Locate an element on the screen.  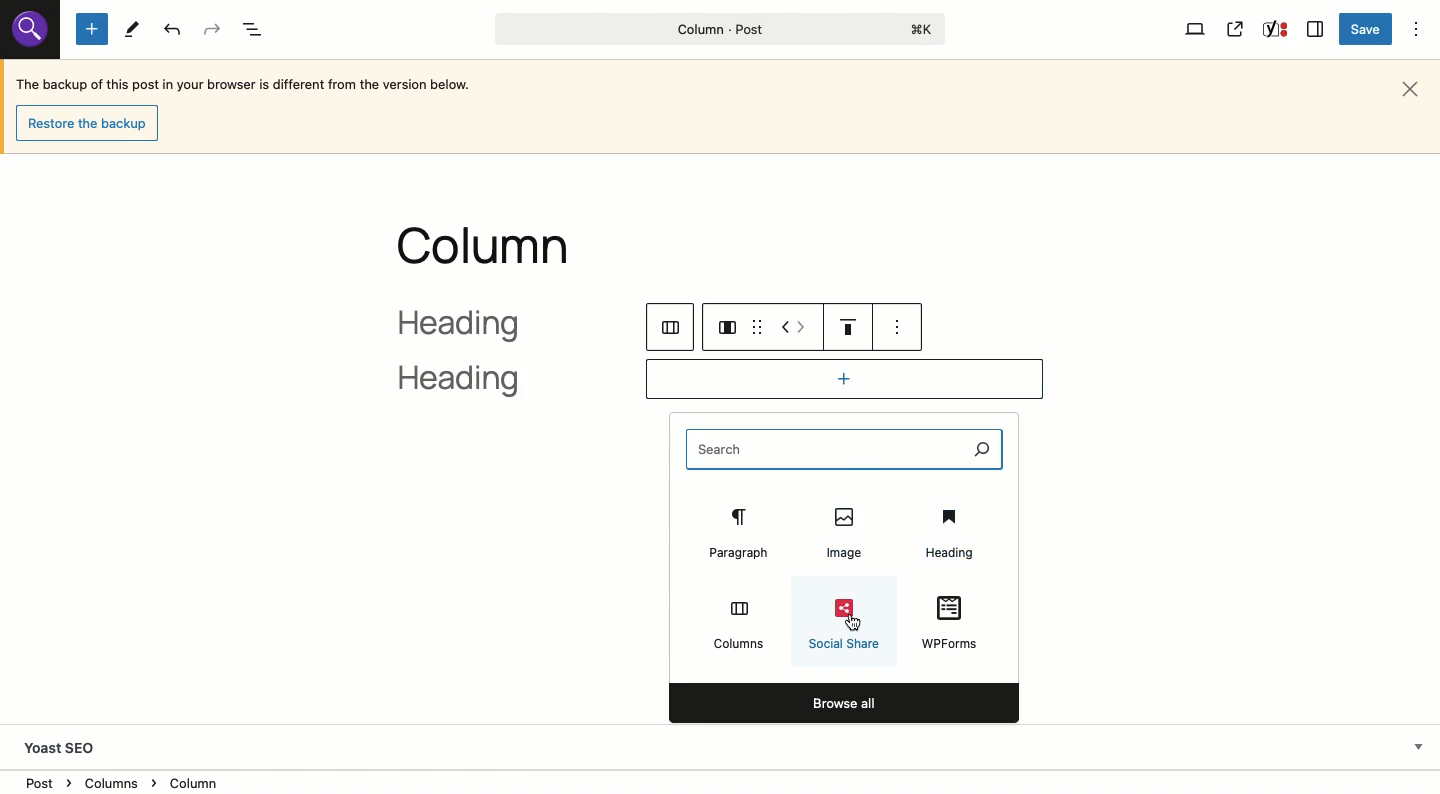
View is located at coordinates (1196, 28).